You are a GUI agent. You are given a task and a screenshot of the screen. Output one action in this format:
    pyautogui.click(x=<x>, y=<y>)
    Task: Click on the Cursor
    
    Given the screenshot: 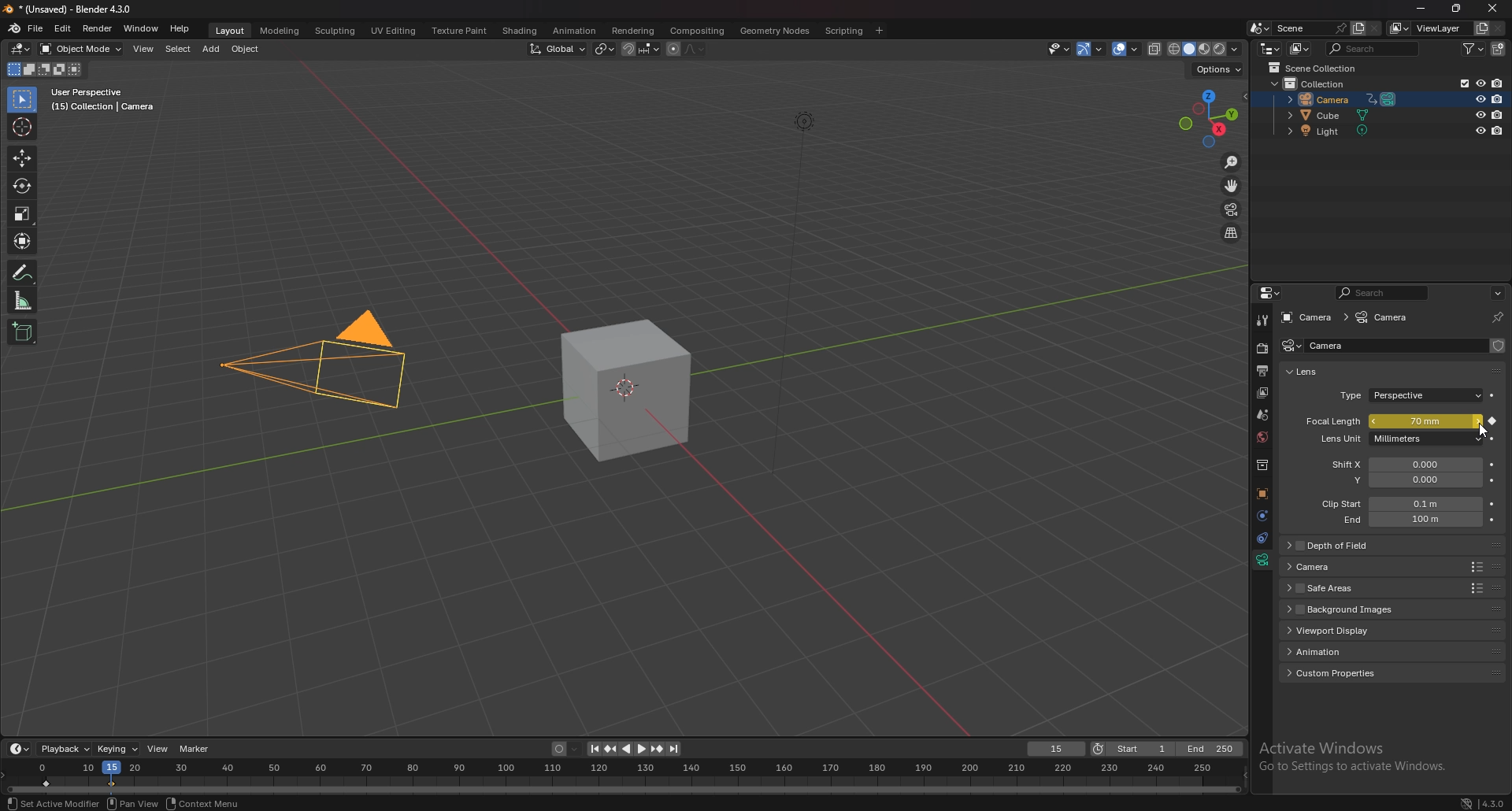 What is the action you would take?
    pyautogui.click(x=1480, y=434)
    